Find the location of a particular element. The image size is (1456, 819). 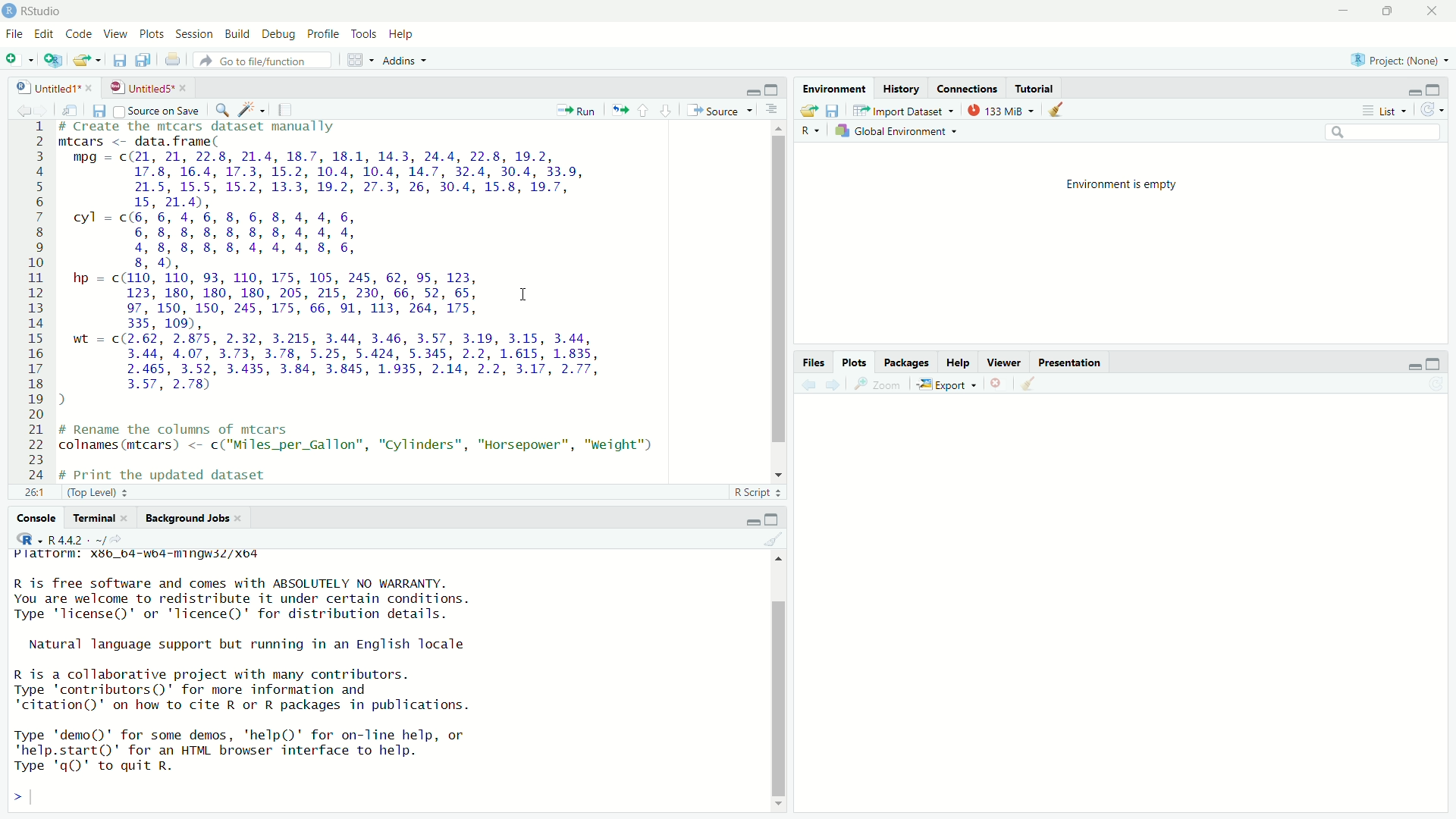

minimise is located at coordinates (1404, 366).